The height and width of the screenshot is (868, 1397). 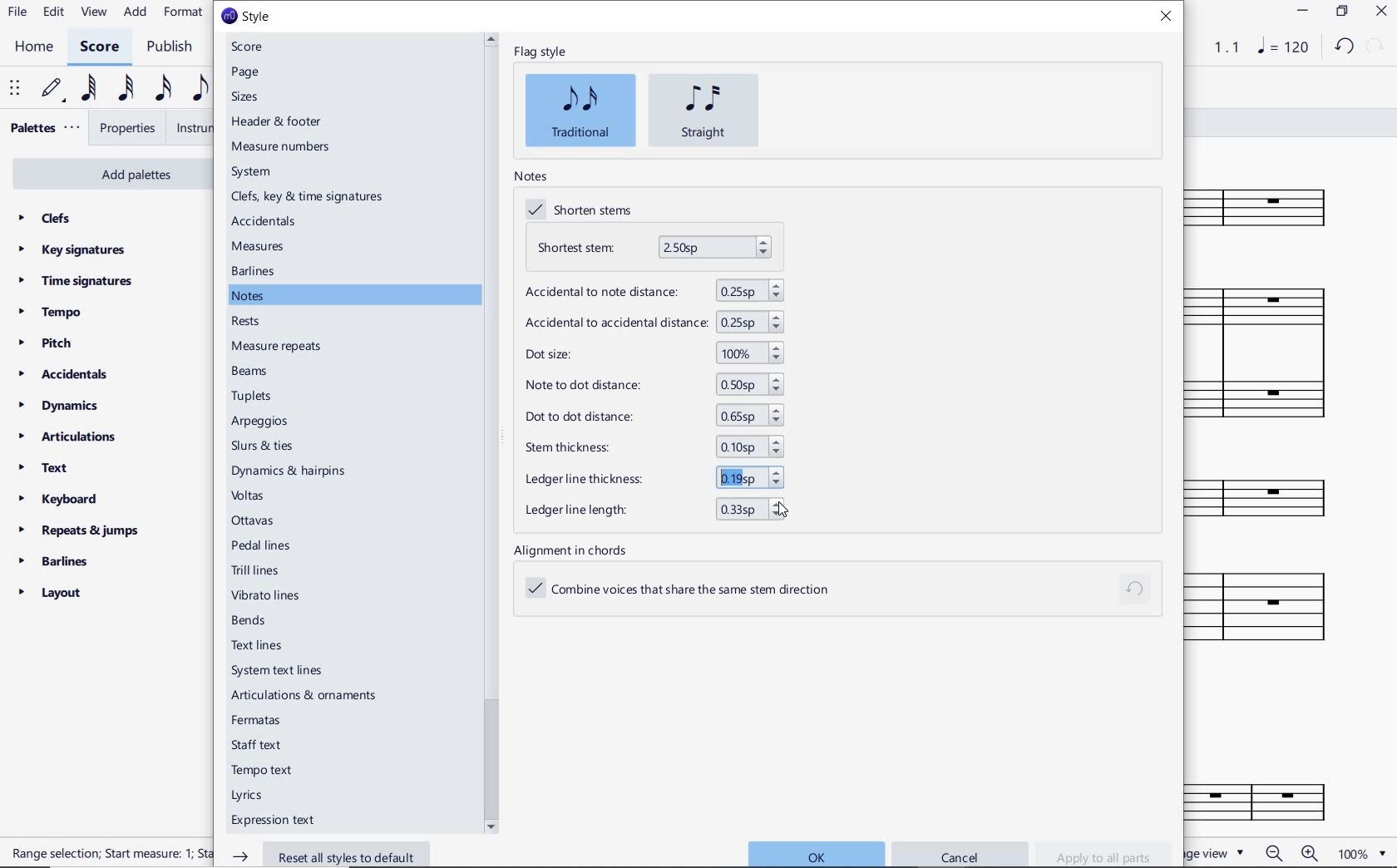 What do you see at coordinates (689, 590) in the screenshot?
I see `combine voices that share the same stem direction` at bounding box center [689, 590].